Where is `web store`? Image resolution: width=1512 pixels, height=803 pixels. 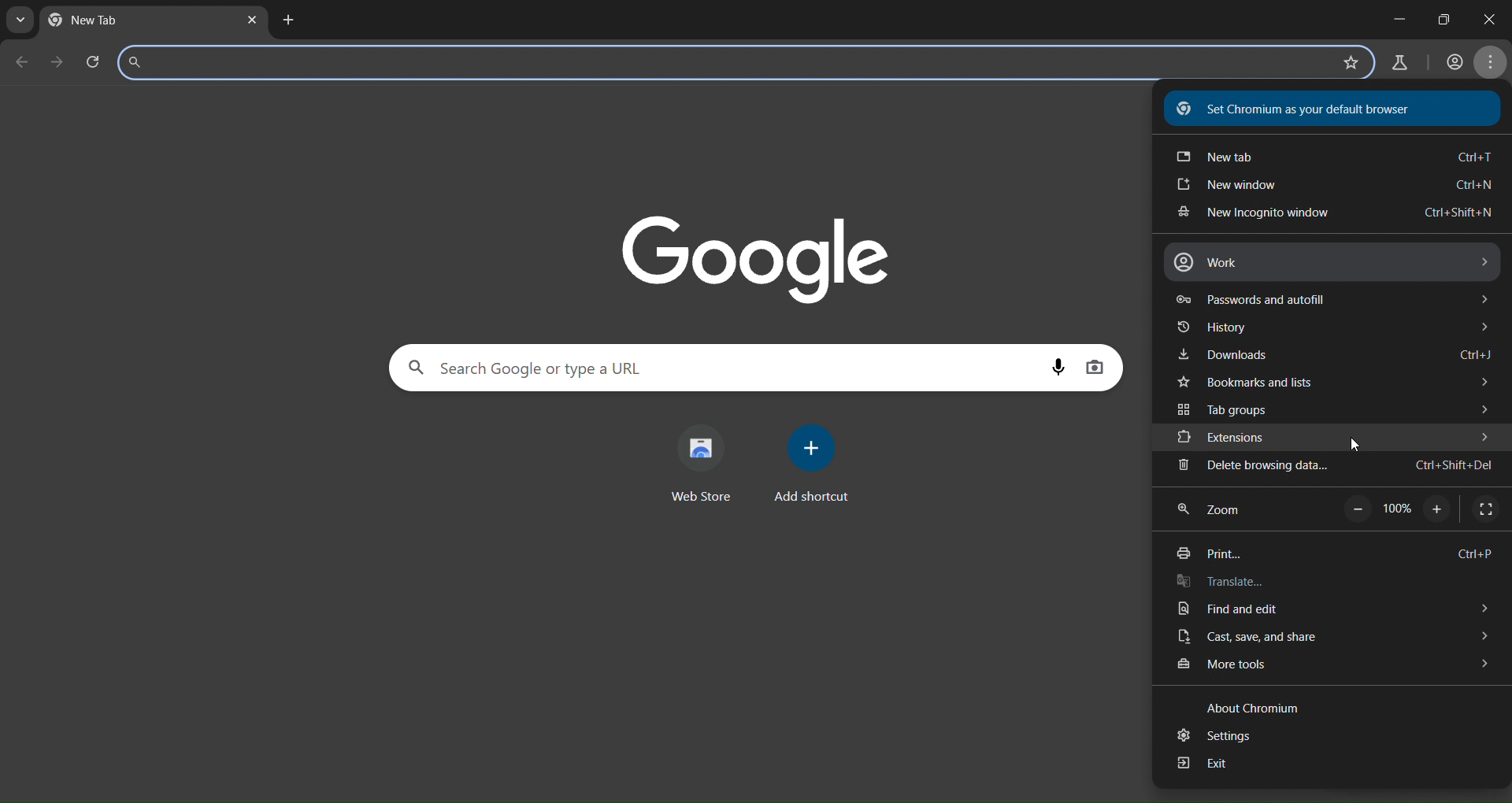 web store is located at coordinates (703, 458).